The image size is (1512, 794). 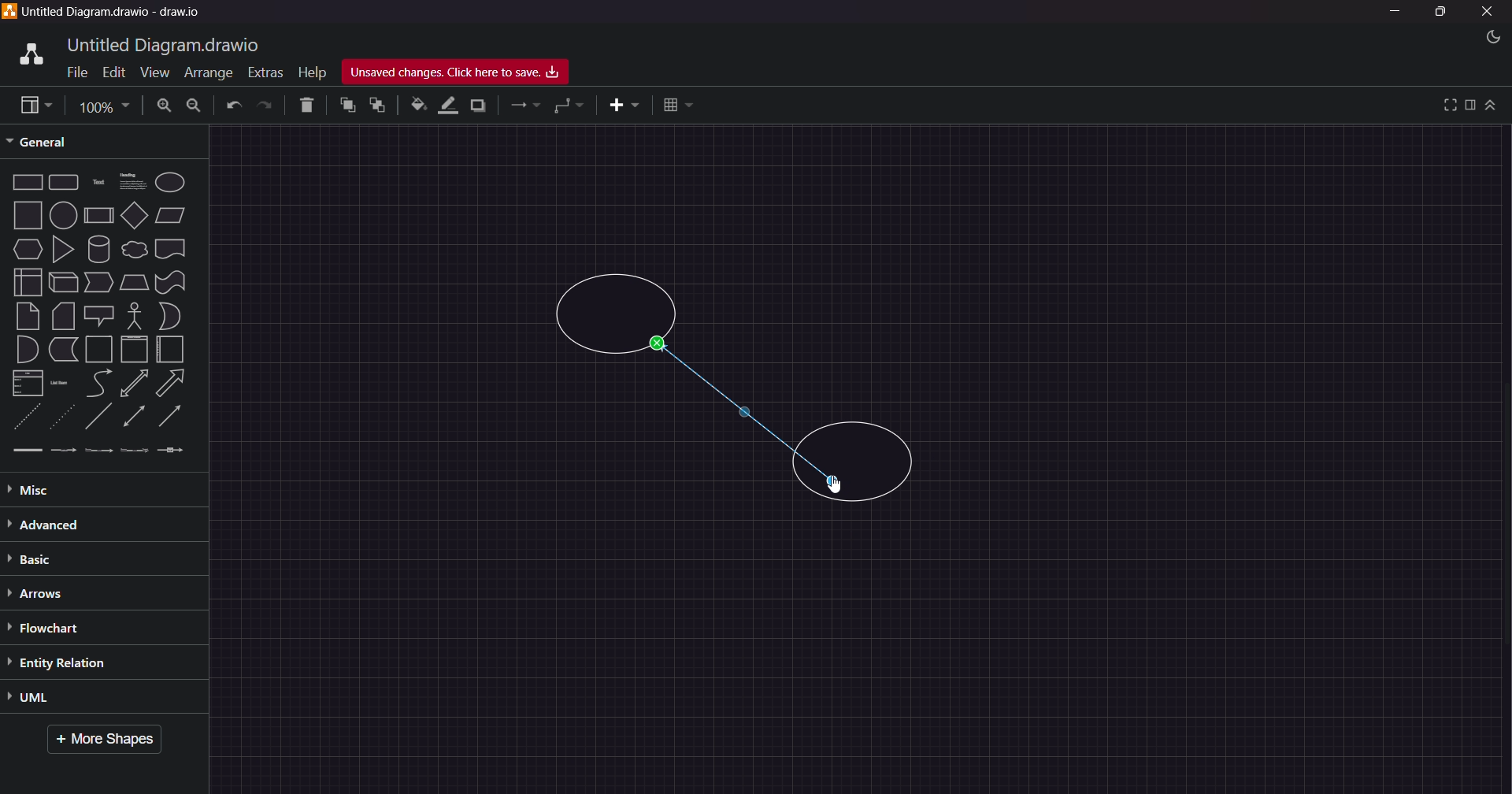 I want to click on Close, so click(x=1488, y=12).